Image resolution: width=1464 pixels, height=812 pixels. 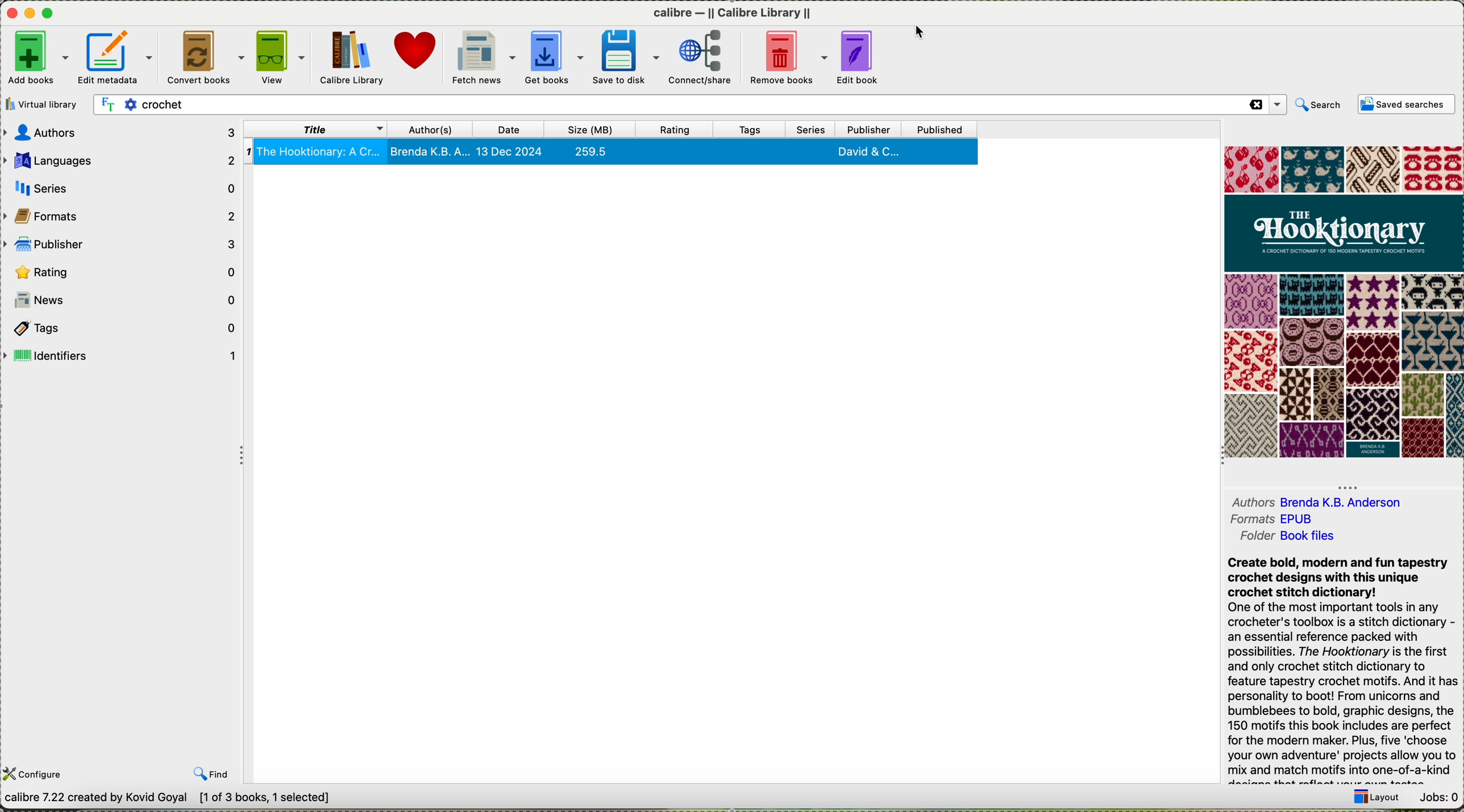 What do you see at coordinates (1377, 798) in the screenshot?
I see `layout` at bounding box center [1377, 798].